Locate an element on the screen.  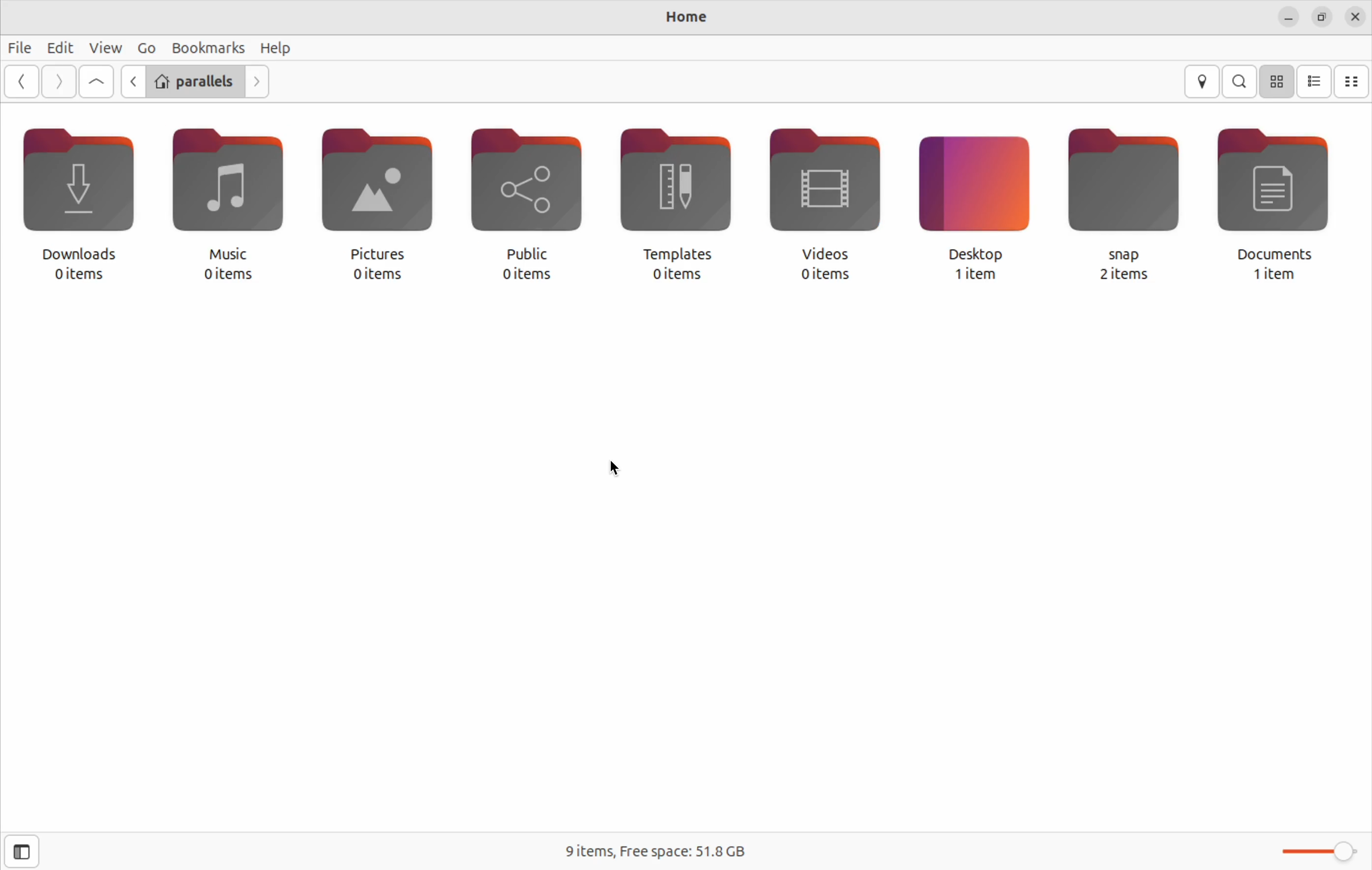
go back is located at coordinates (132, 81).